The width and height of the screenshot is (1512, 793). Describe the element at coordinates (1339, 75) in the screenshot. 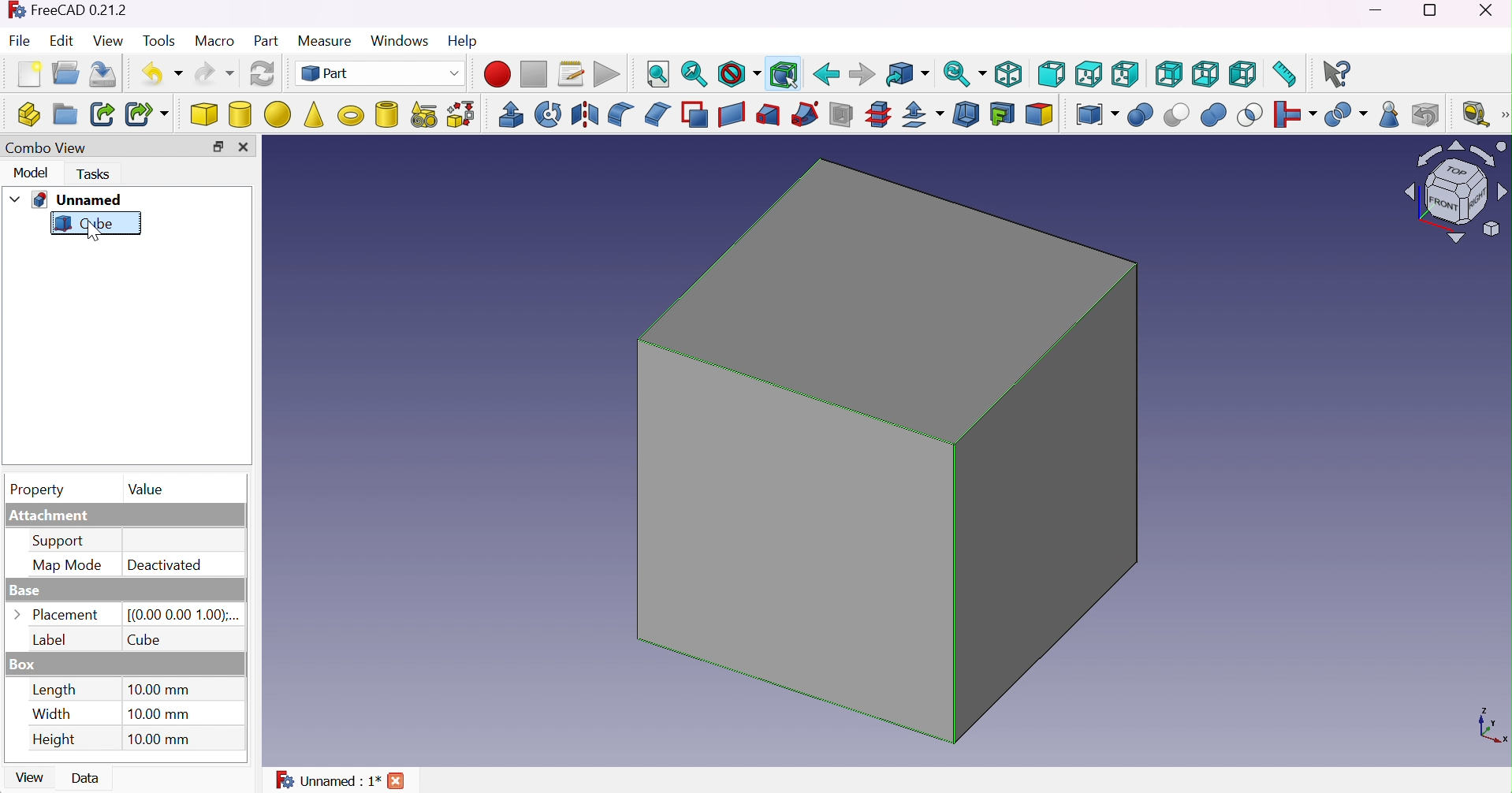

I see `What's this?` at that location.